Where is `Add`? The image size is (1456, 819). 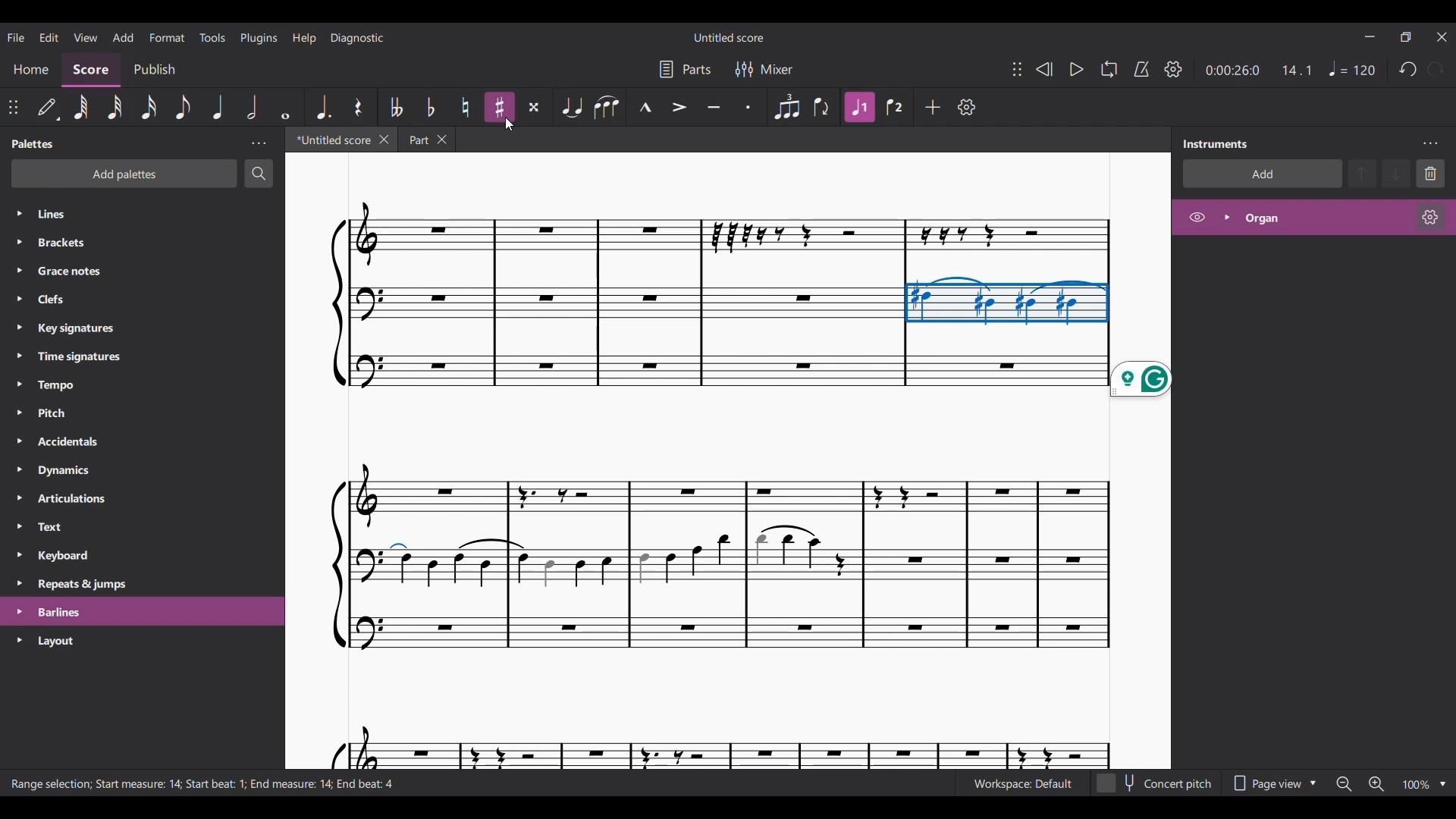
Add is located at coordinates (933, 106).